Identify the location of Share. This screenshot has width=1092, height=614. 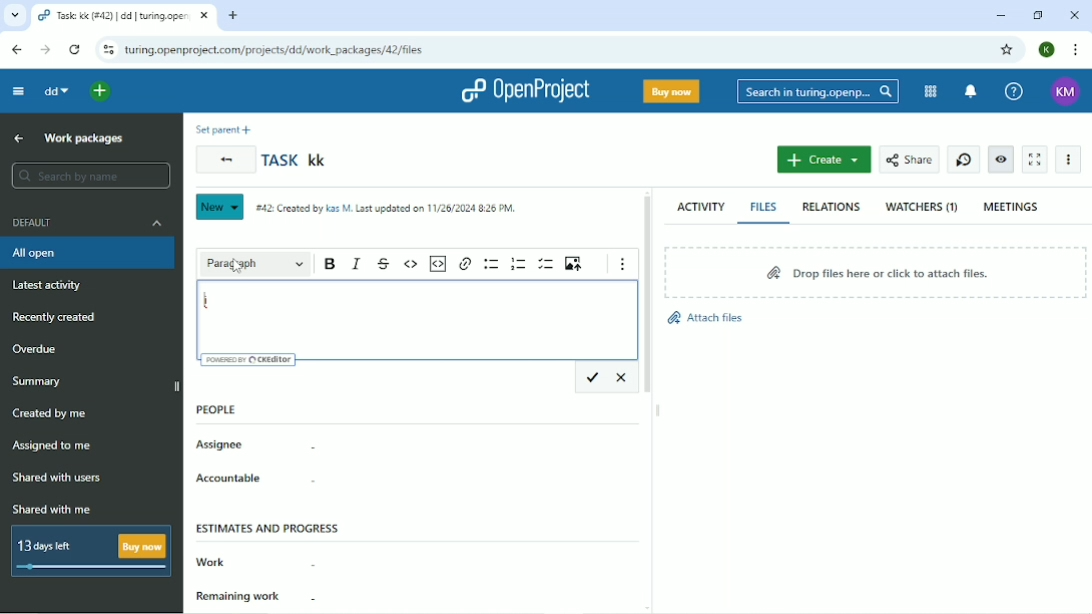
(910, 159).